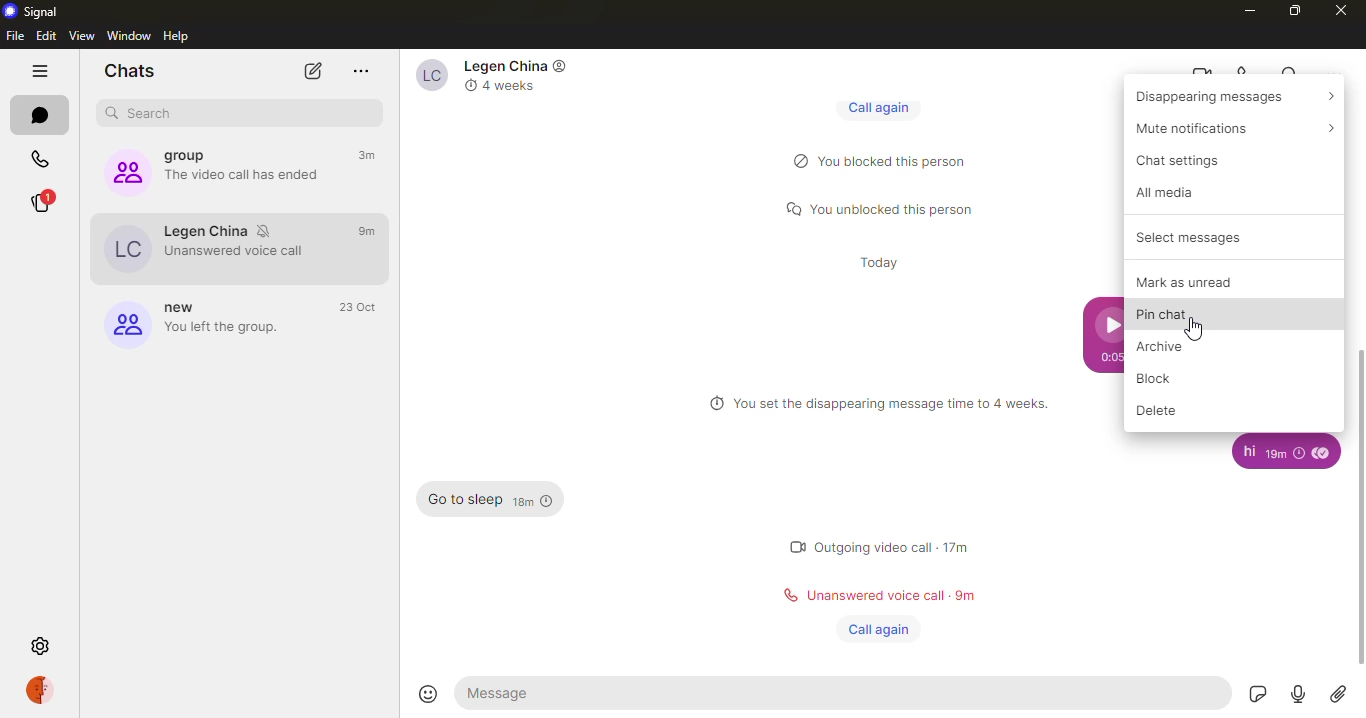  Describe the element at coordinates (1159, 412) in the screenshot. I see `delete` at that location.